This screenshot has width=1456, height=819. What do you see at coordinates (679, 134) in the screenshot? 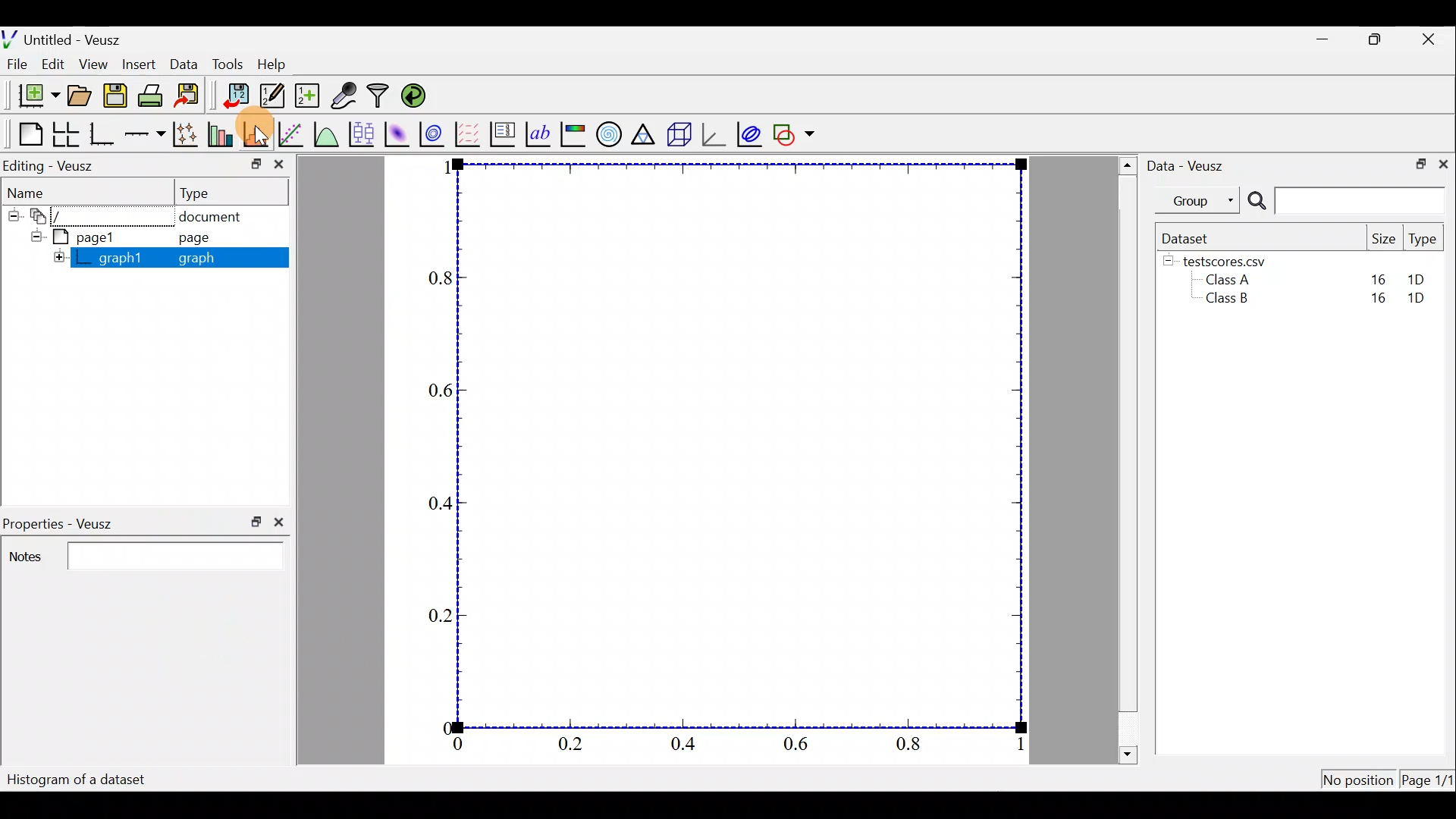
I see `3d scene` at bounding box center [679, 134].